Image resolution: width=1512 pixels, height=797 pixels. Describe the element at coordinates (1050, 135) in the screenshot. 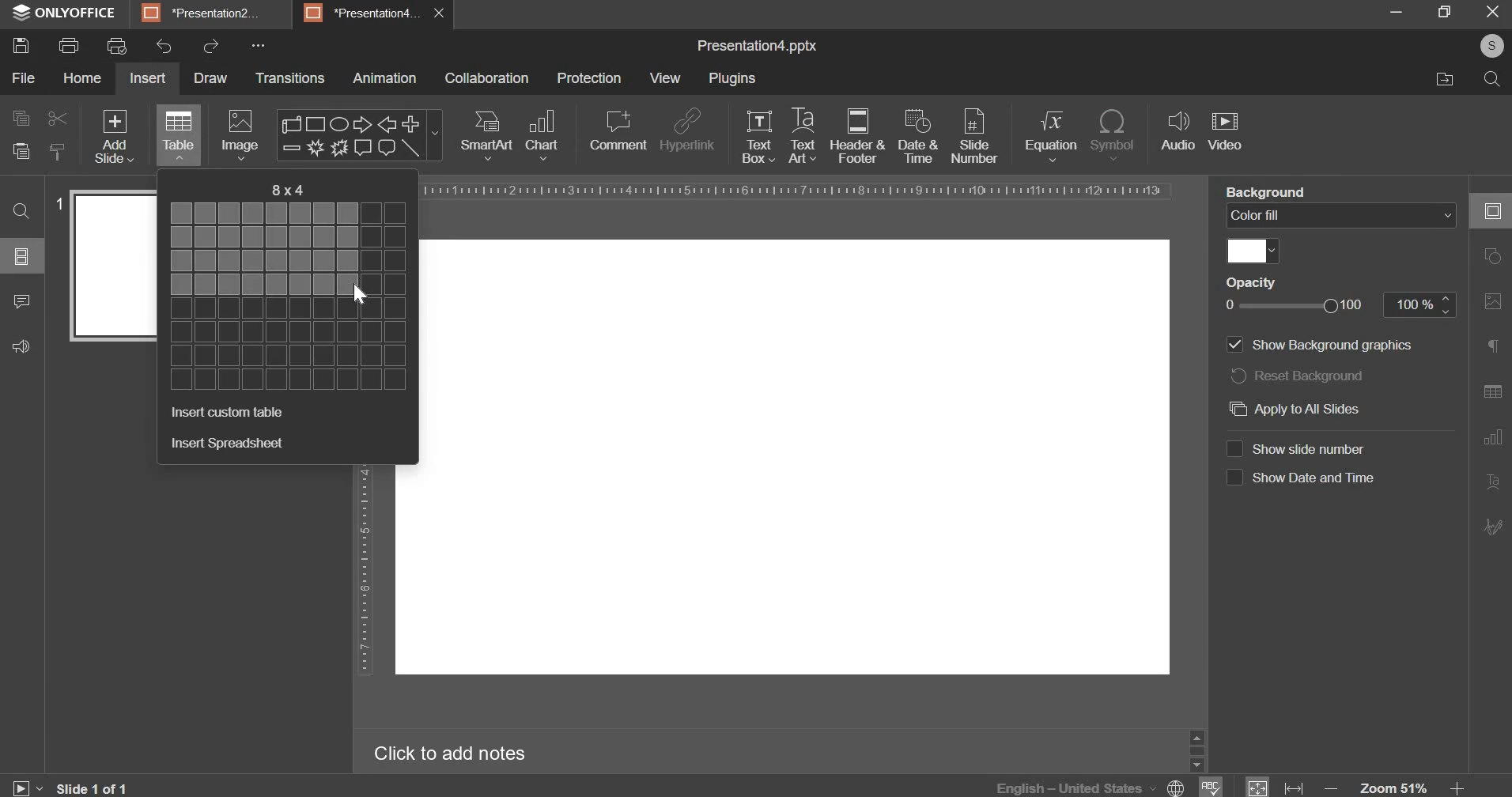

I see `equation` at that location.